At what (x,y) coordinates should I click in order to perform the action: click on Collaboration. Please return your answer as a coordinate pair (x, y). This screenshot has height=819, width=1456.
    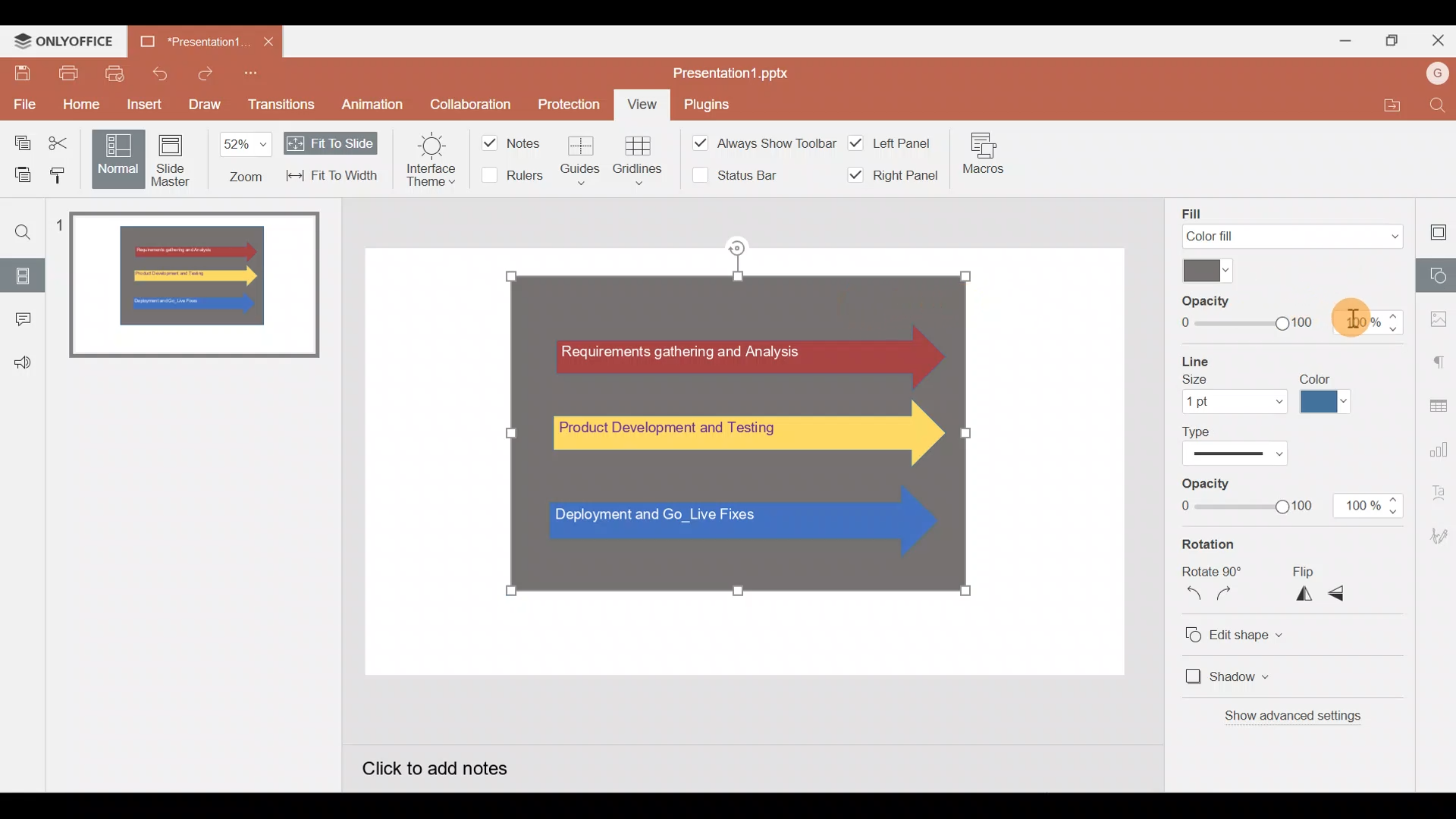
    Looking at the image, I should click on (470, 102).